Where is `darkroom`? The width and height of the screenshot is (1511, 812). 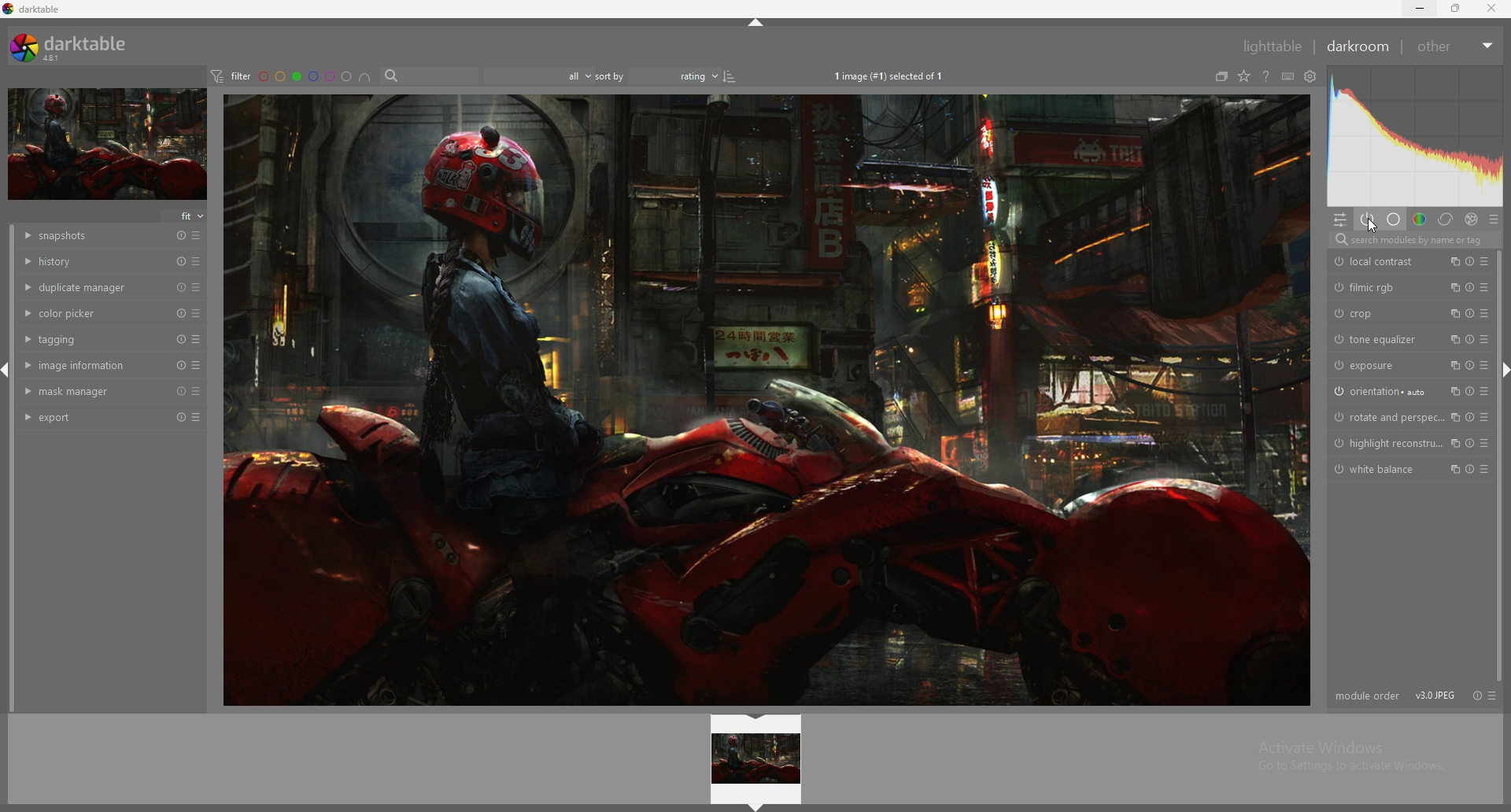 darkroom is located at coordinates (1357, 46).